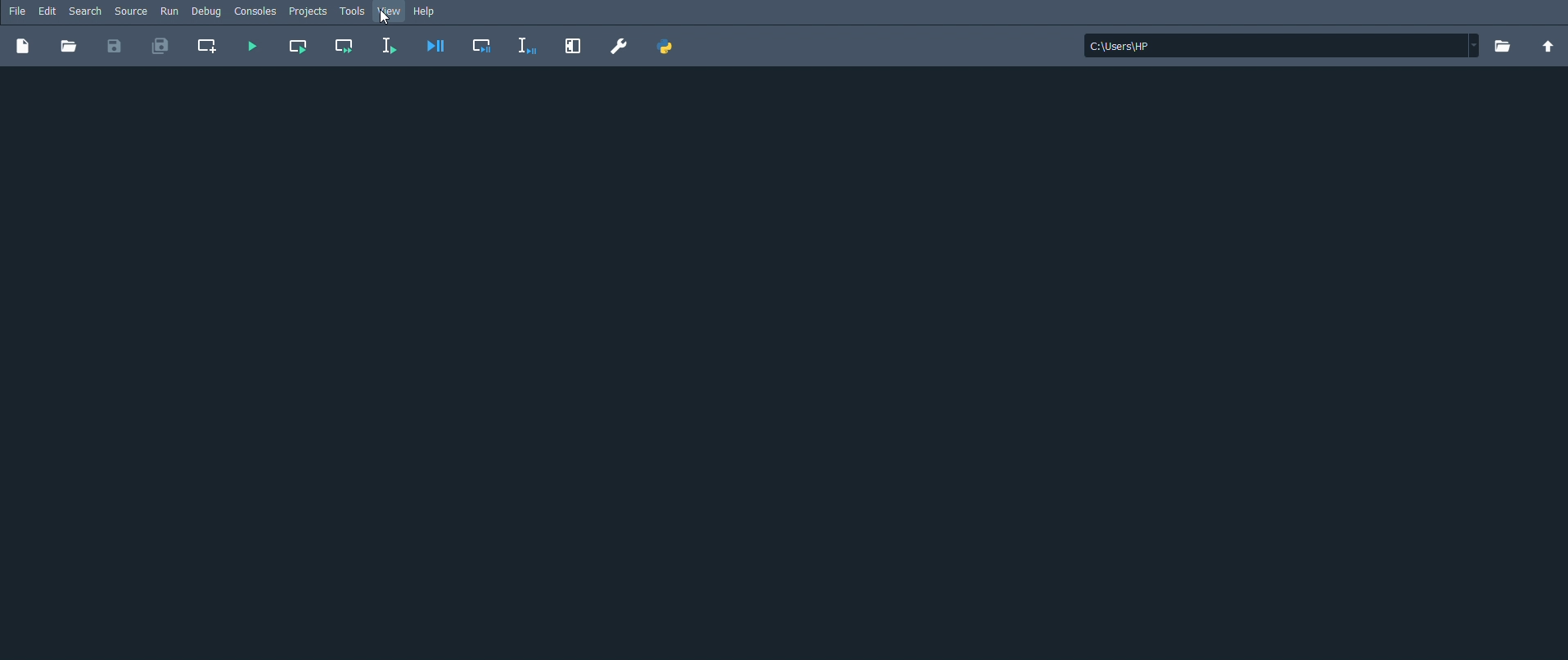 This screenshot has width=1568, height=660. I want to click on Change to parent directory, so click(1548, 47).